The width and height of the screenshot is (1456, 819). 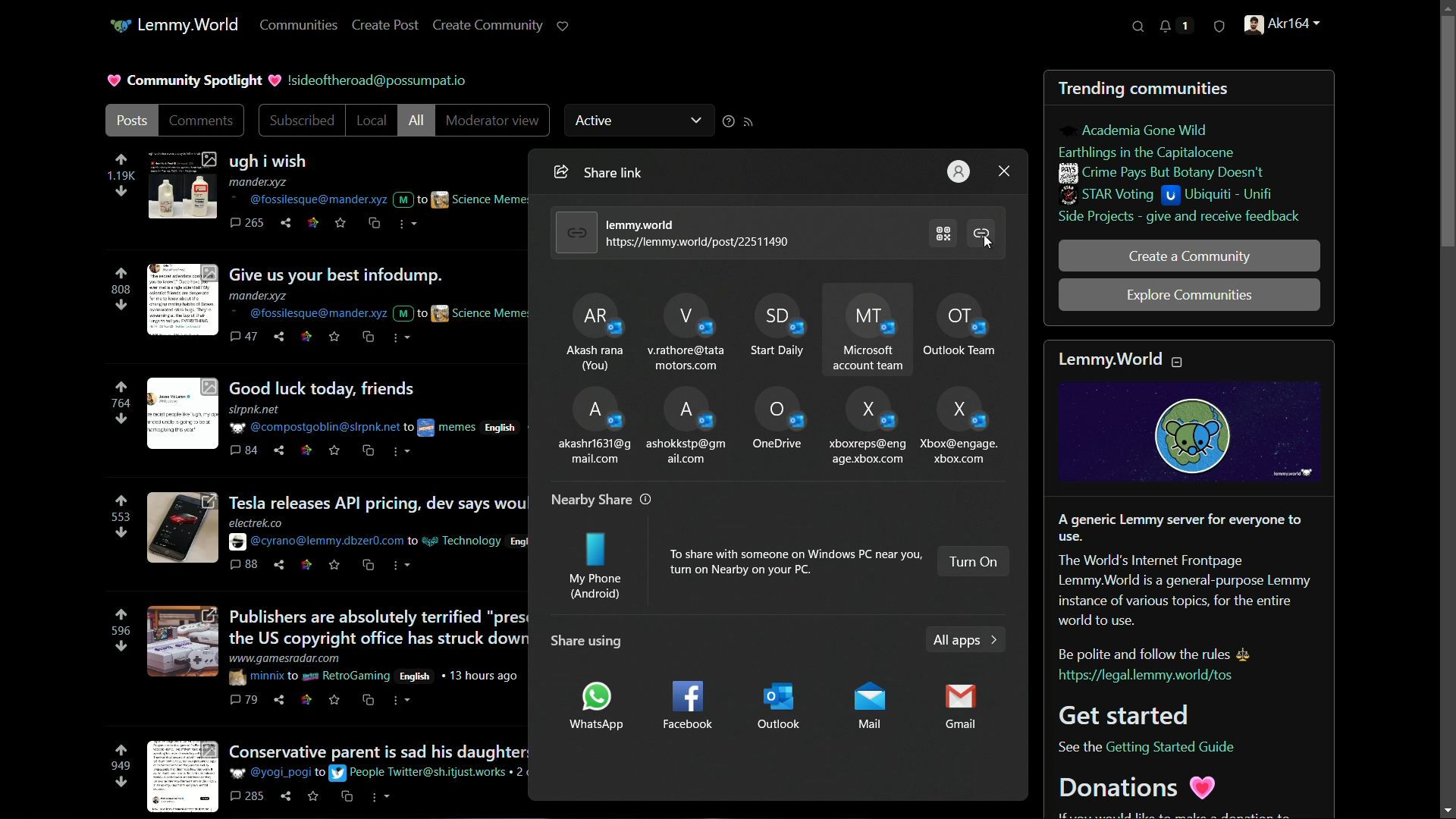 What do you see at coordinates (183, 528) in the screenshot?
I see `thumbnail` at bounding box center [183, 528].